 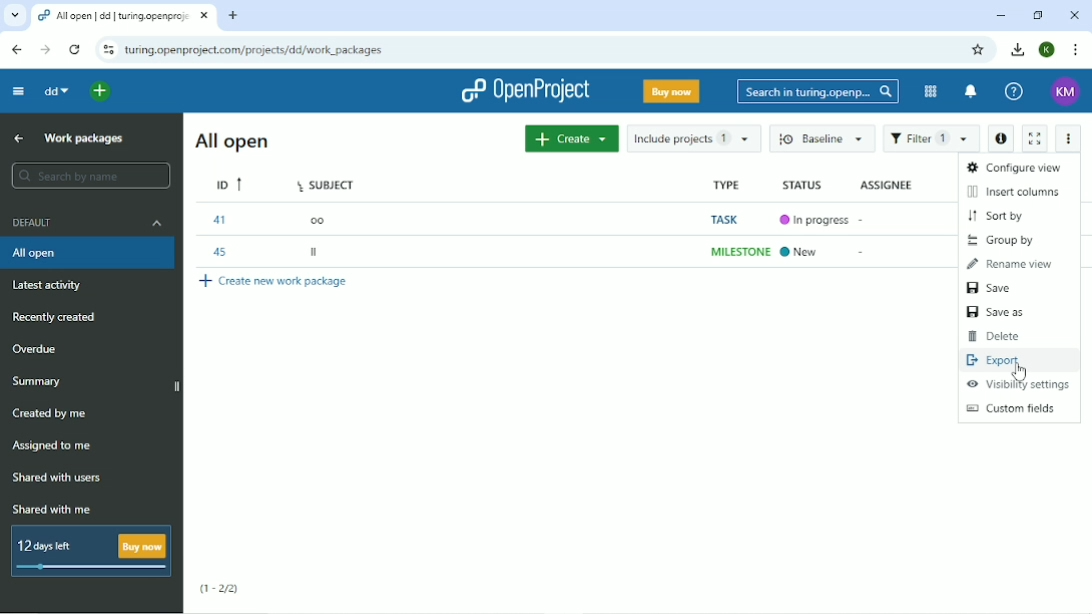 What do you see at coordinates (721, 219) in the screenshot?
I see `Task` at bounding box center [721, 219].